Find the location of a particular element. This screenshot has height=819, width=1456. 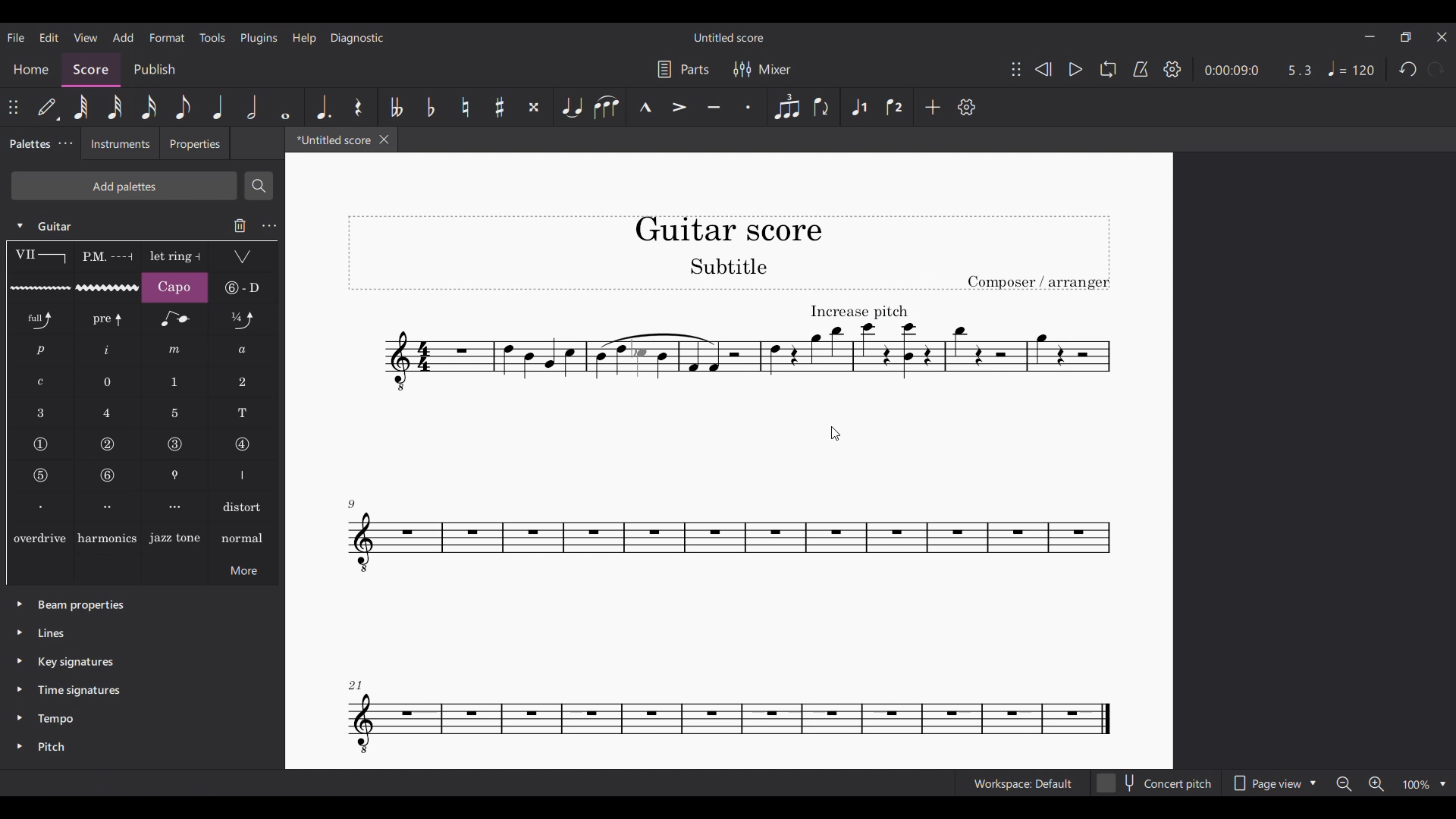

Key signatures palette is located at coordinates (76, 662).